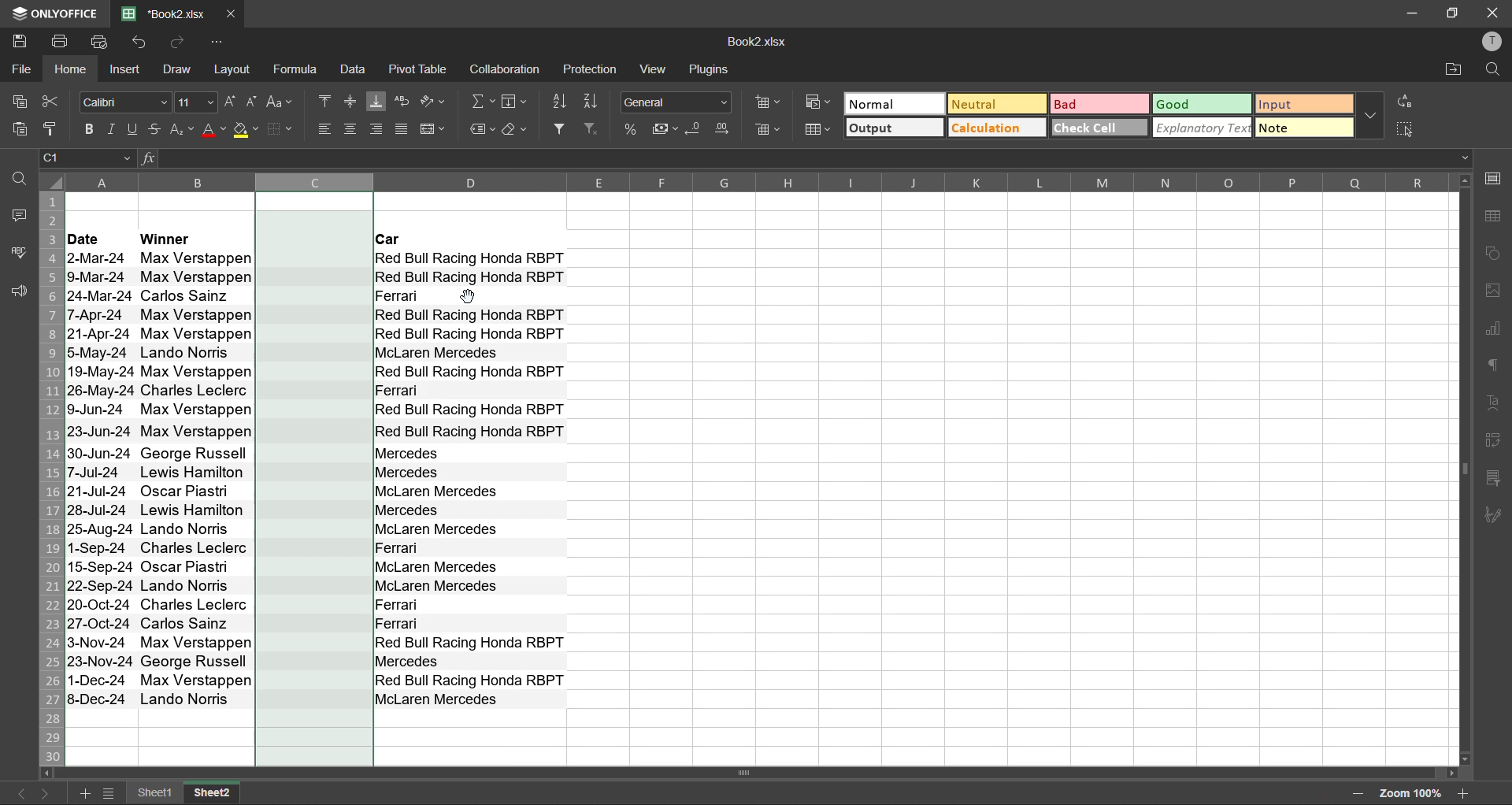 Image resolution: width=1512 pixels, height=805 pixels. I want to click on cursor, so click(469, 297).